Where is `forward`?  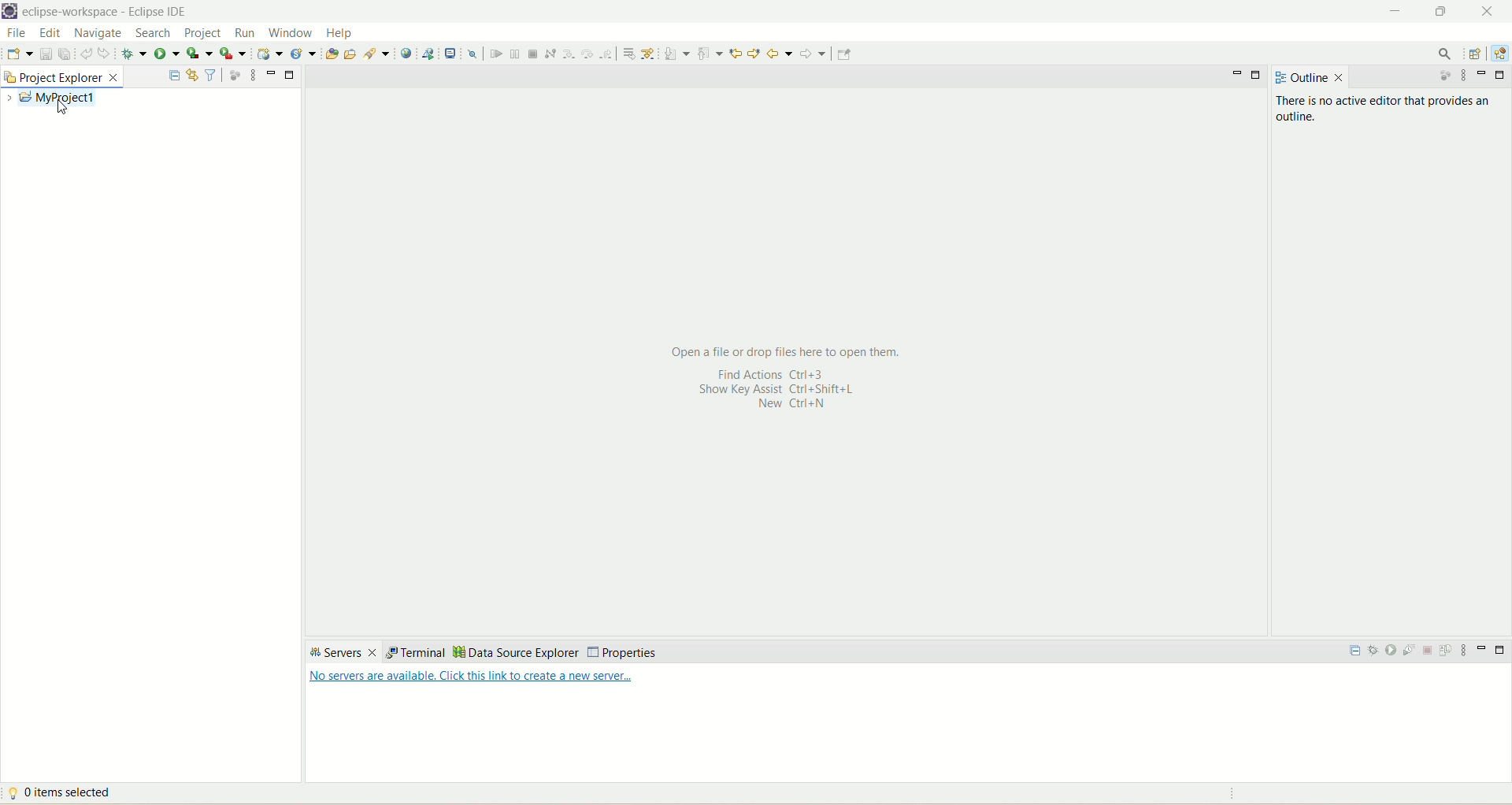 forward is located at coordinates (813, 54).